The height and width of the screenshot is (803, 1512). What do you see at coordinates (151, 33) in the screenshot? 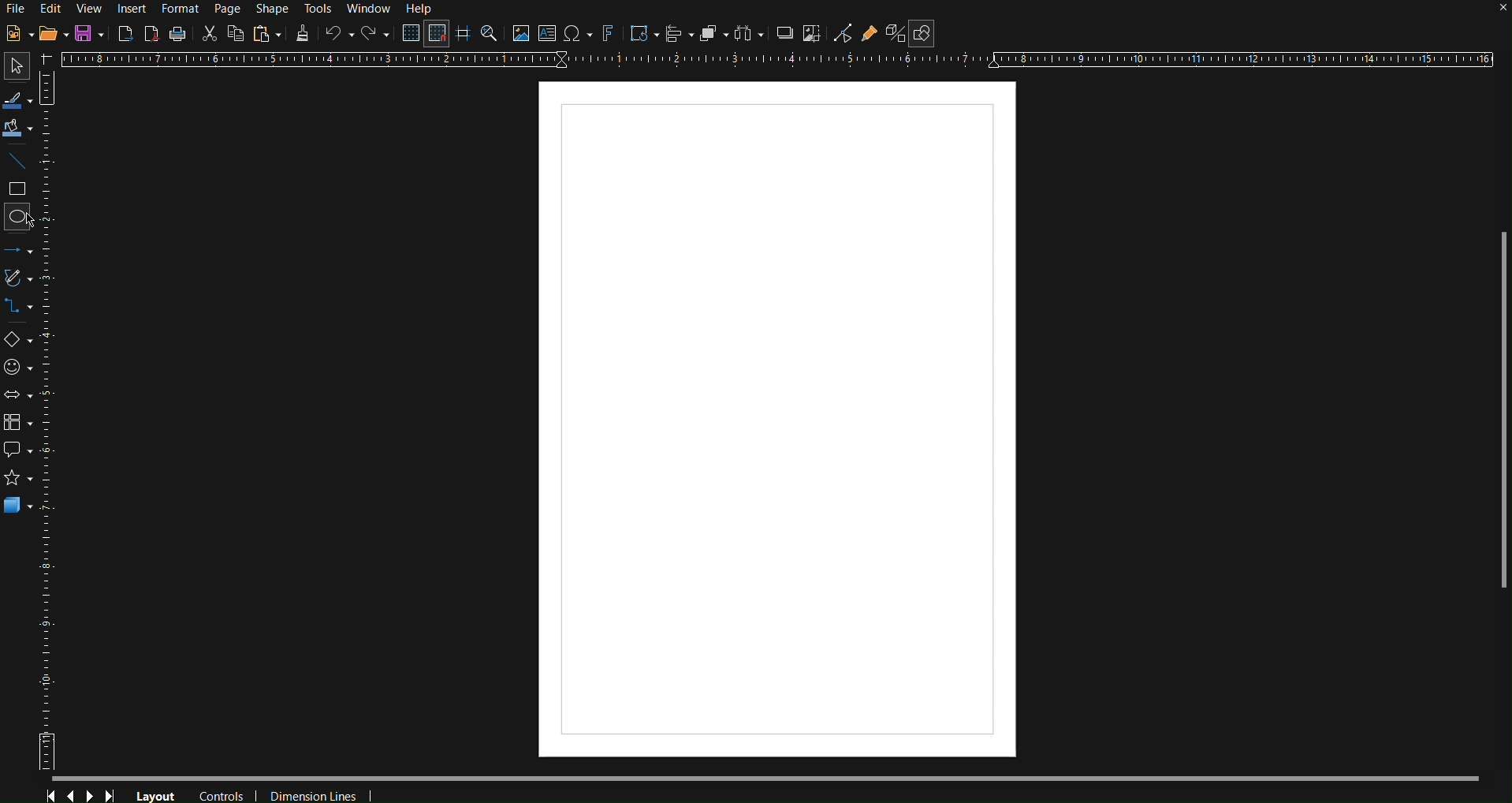
I see `Export as PDF` at bounding box center [151, 33].